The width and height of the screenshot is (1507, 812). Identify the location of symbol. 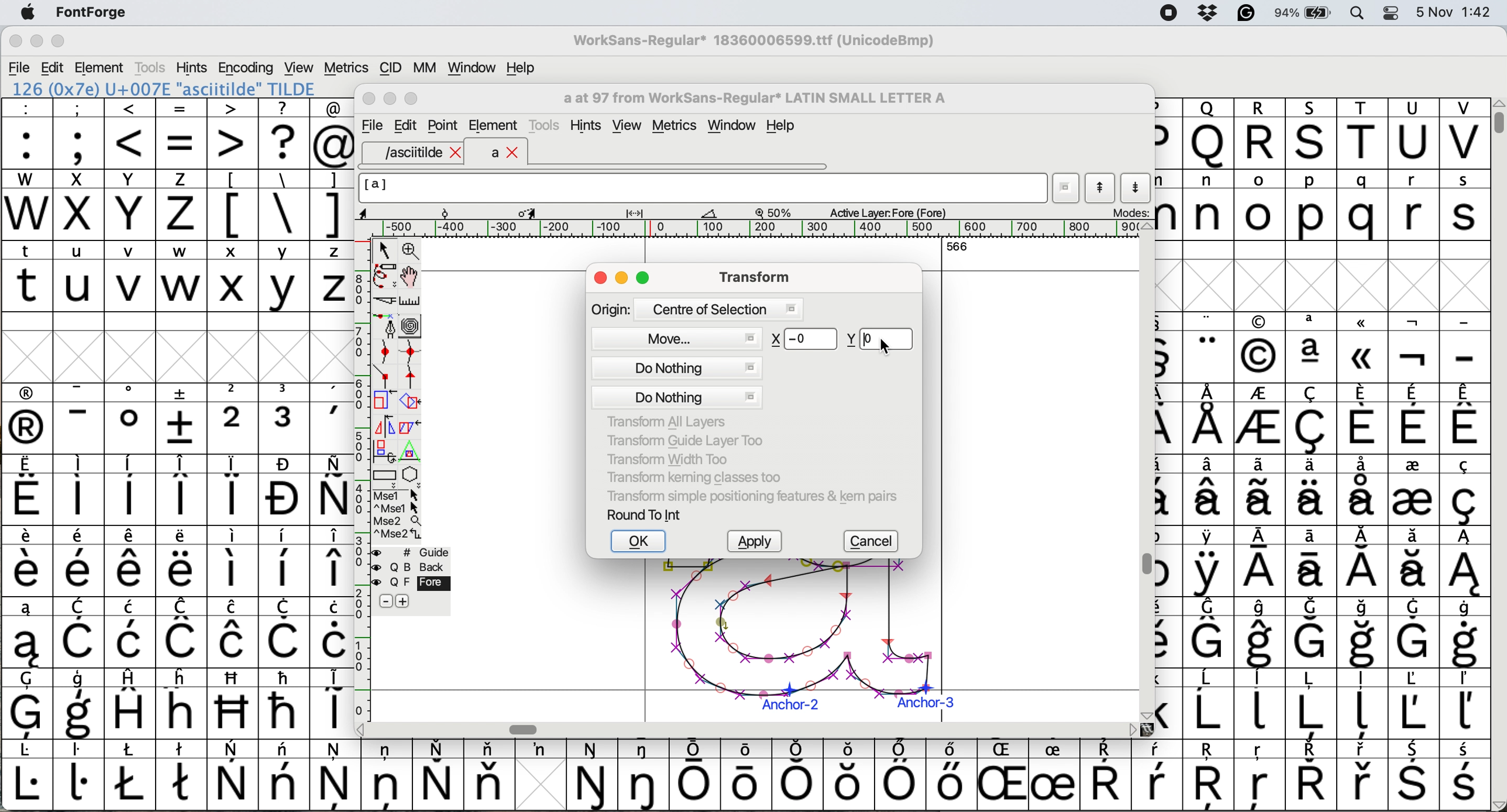
(183, 418).